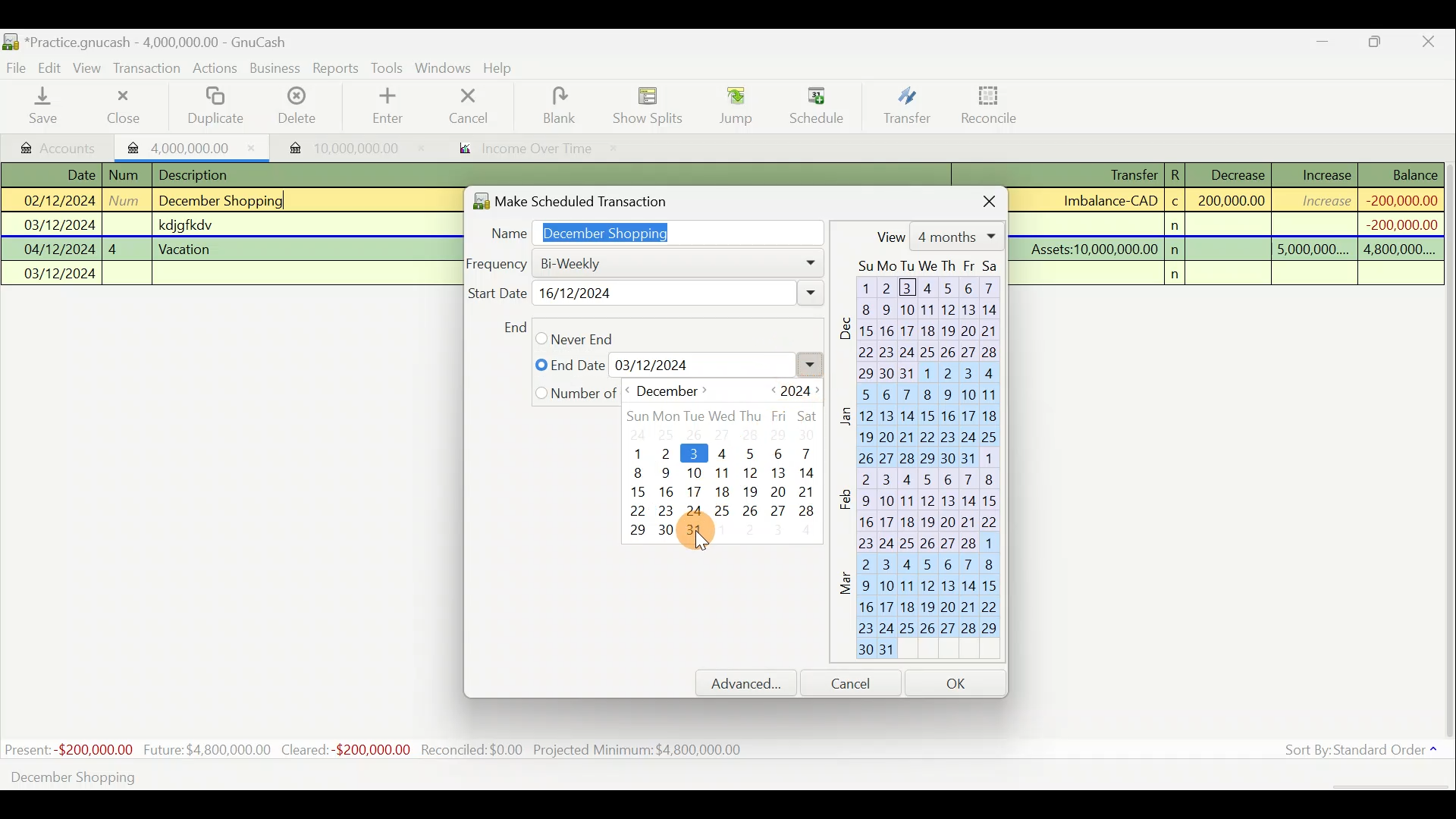  I want to click on Monthly, so click(580, 337).